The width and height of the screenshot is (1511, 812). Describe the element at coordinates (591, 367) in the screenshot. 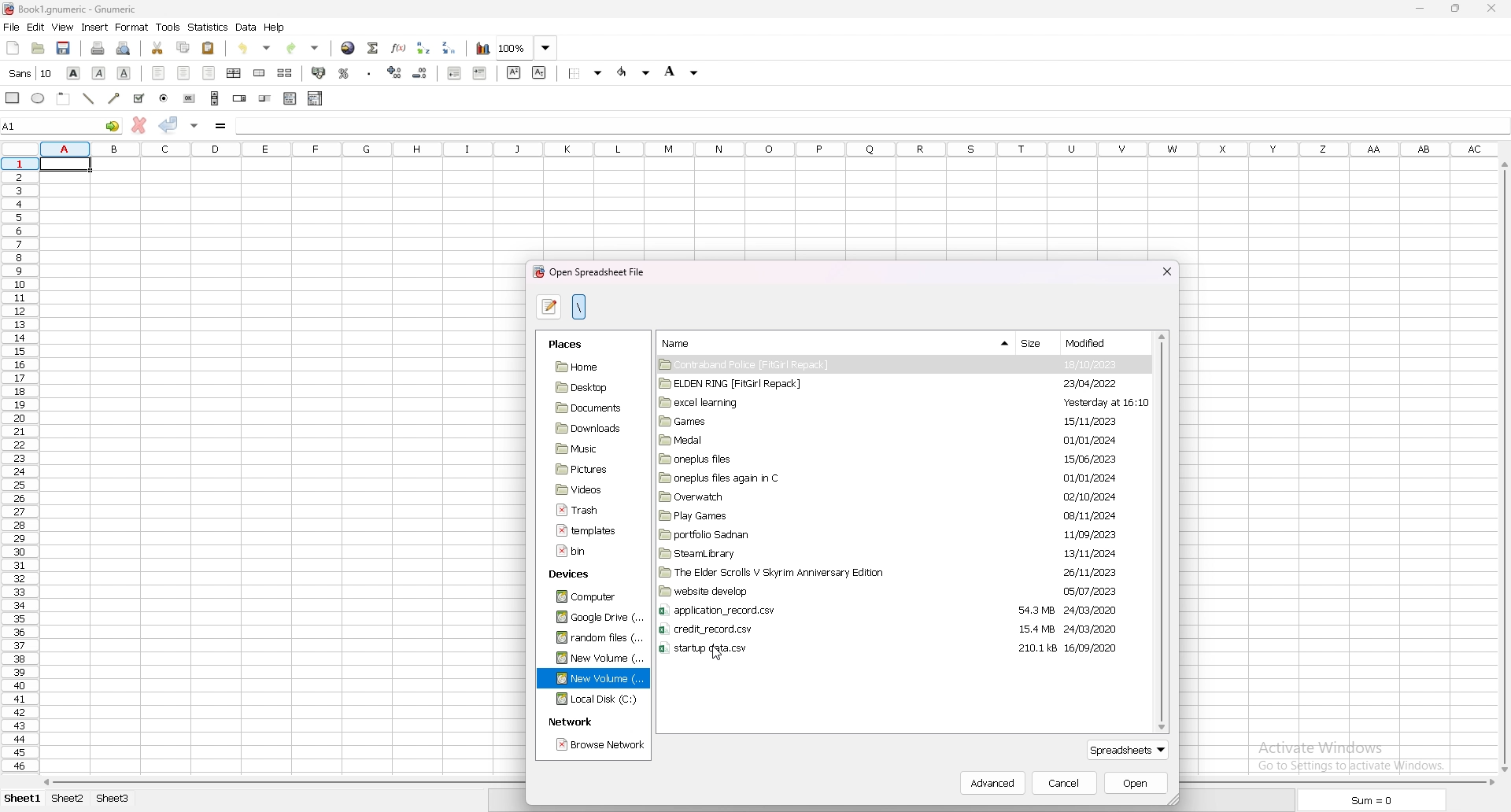

I see `folder` at that location.